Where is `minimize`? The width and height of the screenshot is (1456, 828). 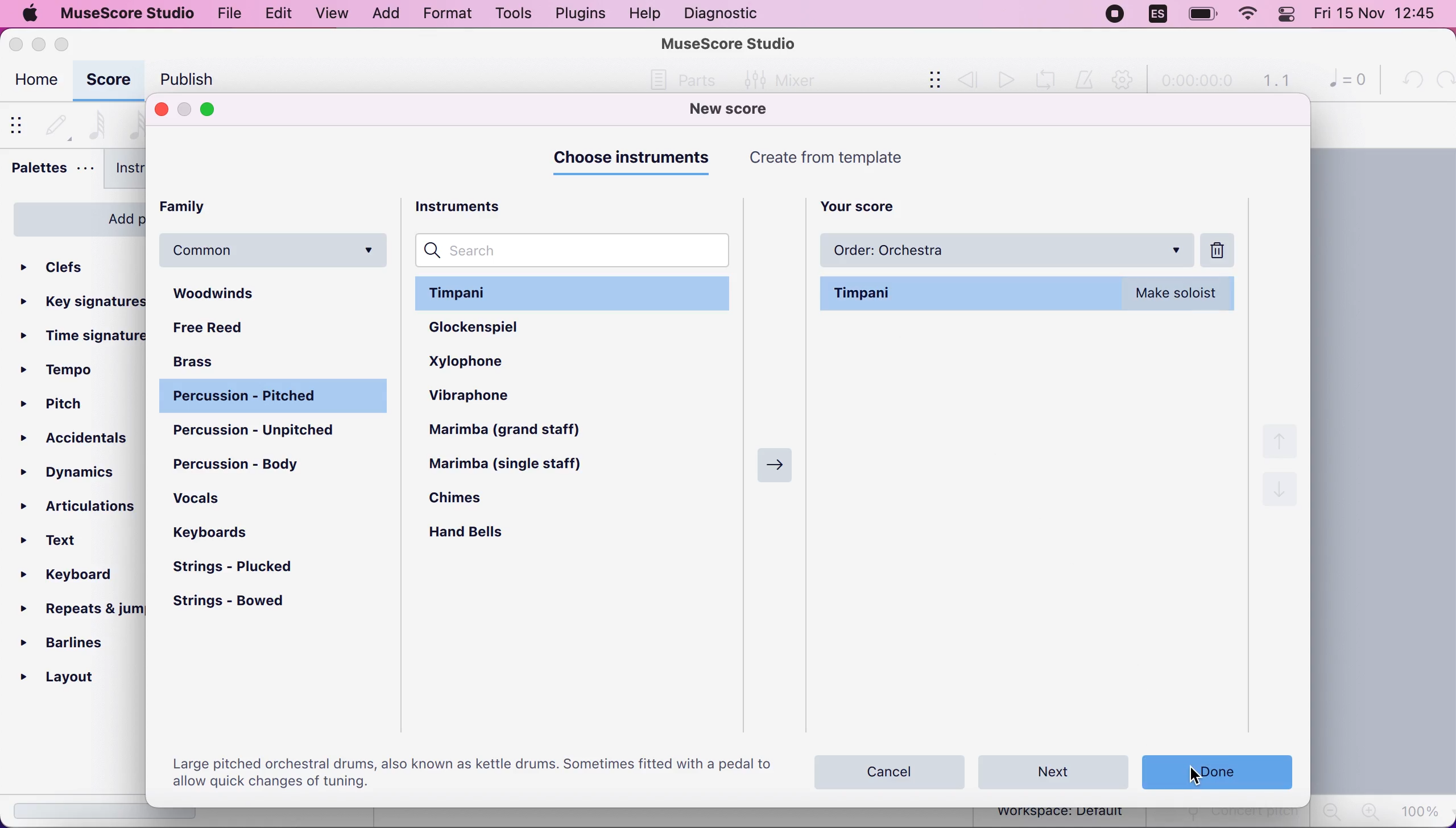
minimize is located at coordinates (38, 42).